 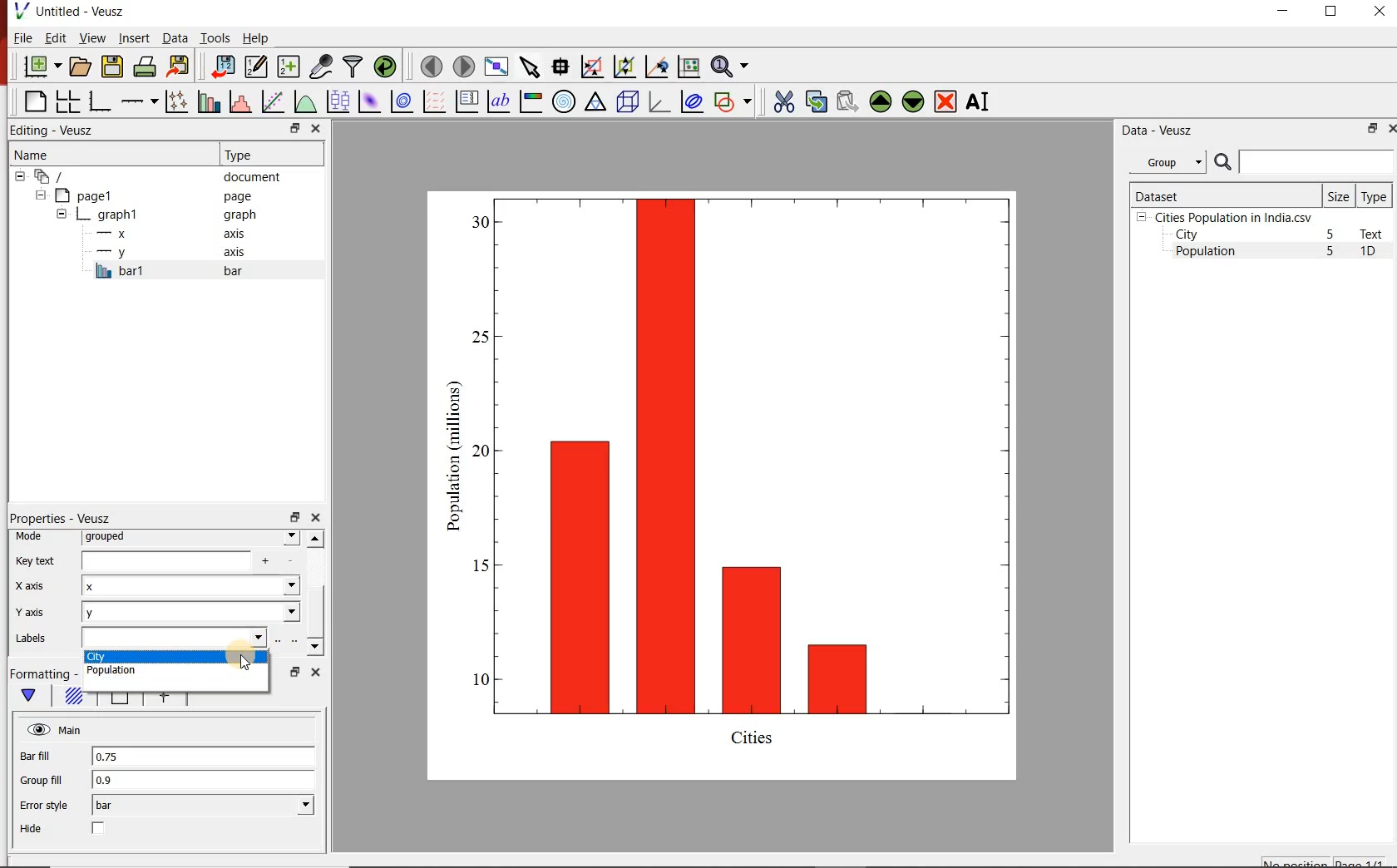 What do you see at coordinates (1187, 234) in the screenshot?
I see `City` at bounding box center [1187, 234].